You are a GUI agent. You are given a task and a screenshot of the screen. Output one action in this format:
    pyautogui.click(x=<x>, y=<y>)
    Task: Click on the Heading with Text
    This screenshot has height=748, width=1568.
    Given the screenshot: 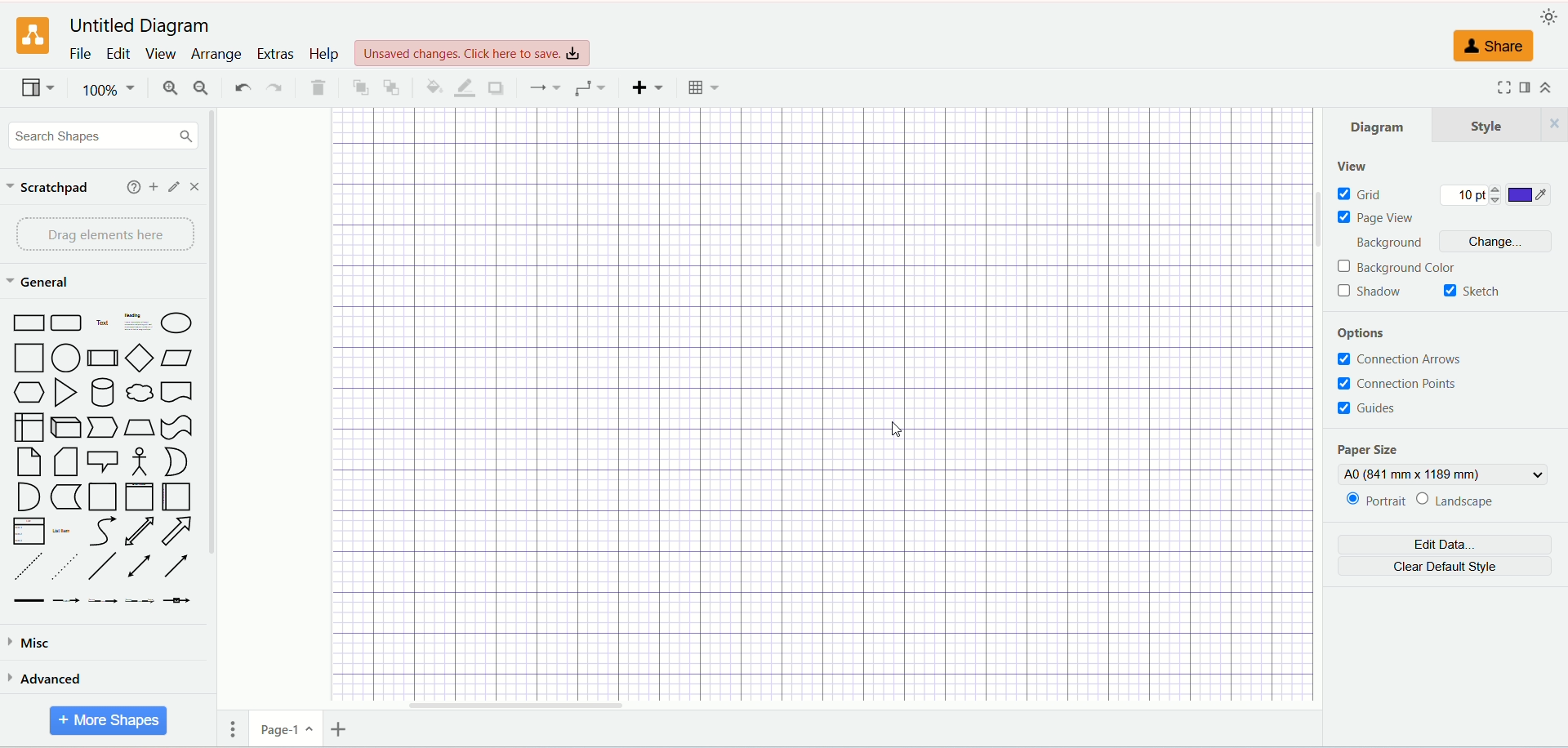 What is the action you would take?
    pyautogui.click(x=139, y=324)
    